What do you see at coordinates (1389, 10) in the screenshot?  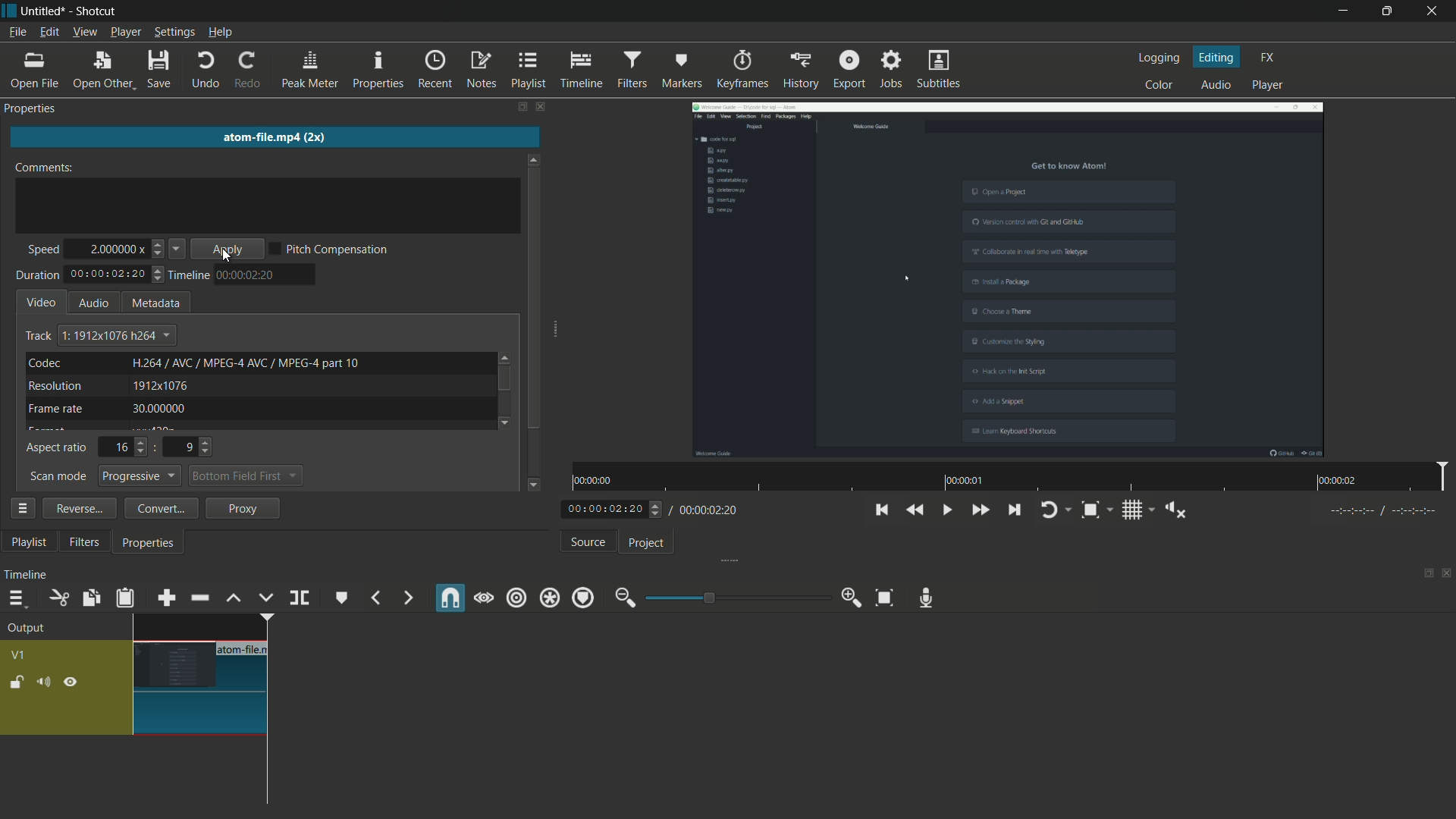 I see `maximize` at bounding box center [1389, 10].